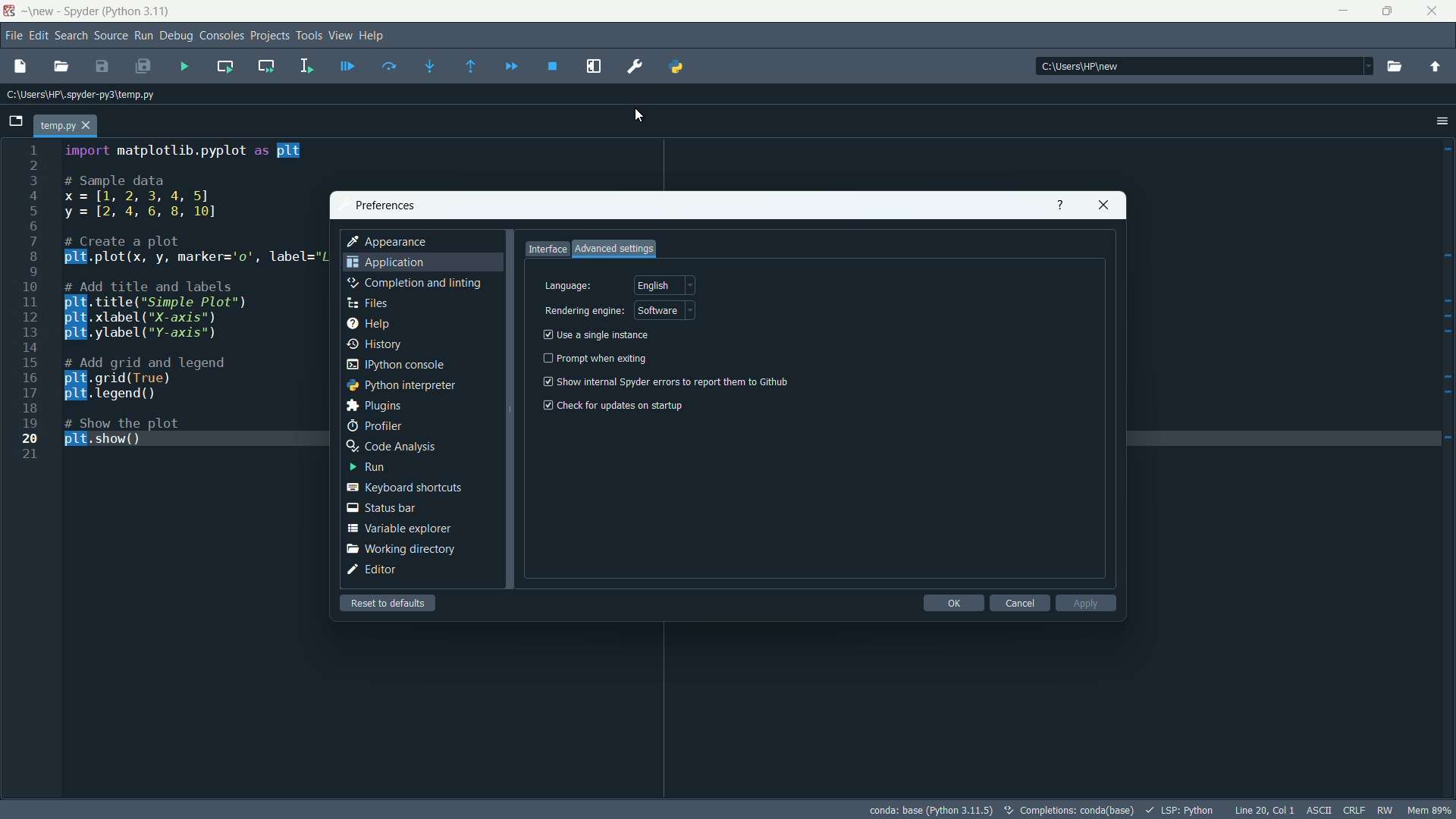  What do you see at coordinates (71, 35) in the screenshot?
I see `search` at bounding box center [71, 35].